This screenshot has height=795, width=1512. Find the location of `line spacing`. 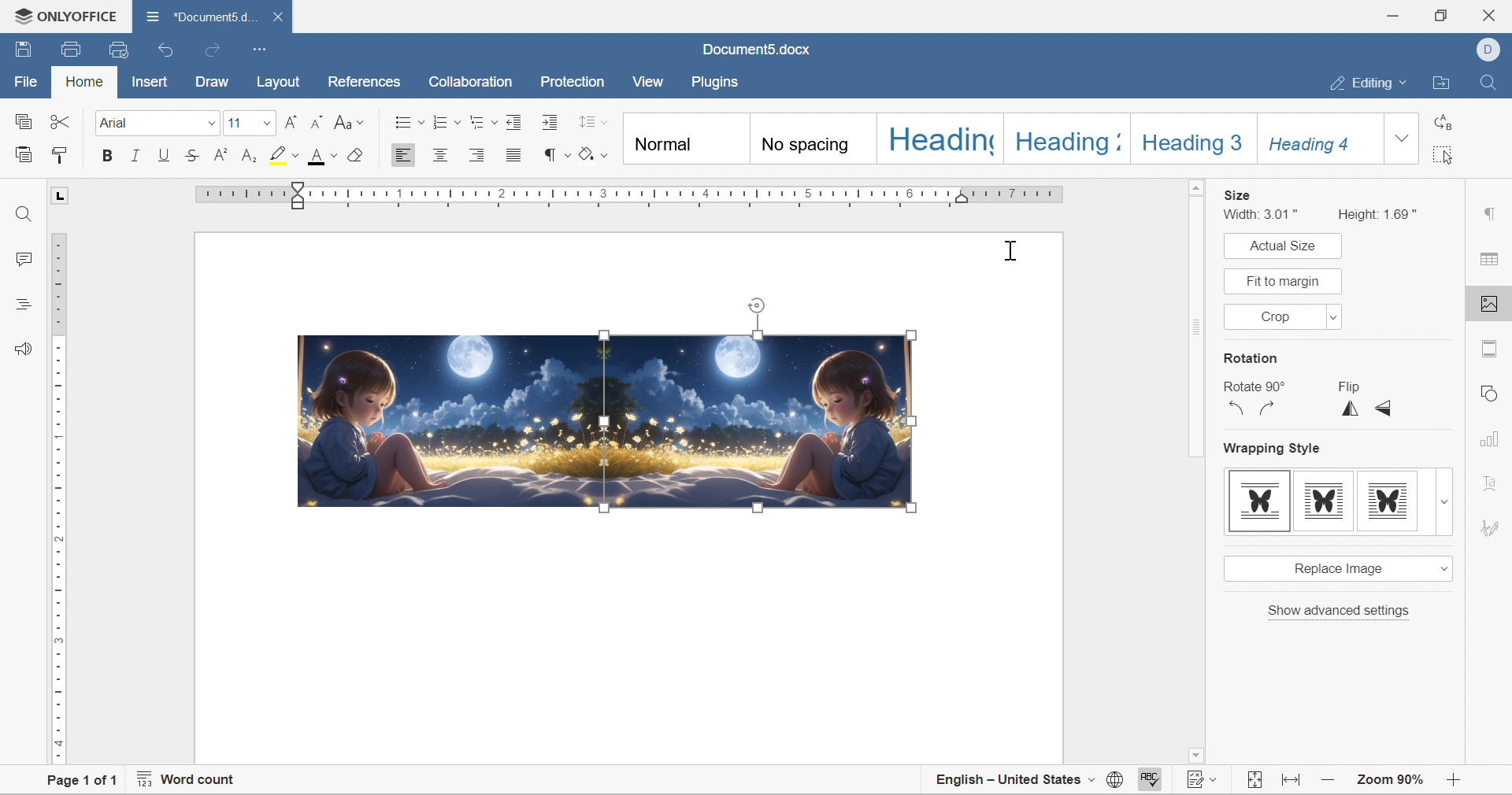

line spacing is located at coordinates (593, 121).